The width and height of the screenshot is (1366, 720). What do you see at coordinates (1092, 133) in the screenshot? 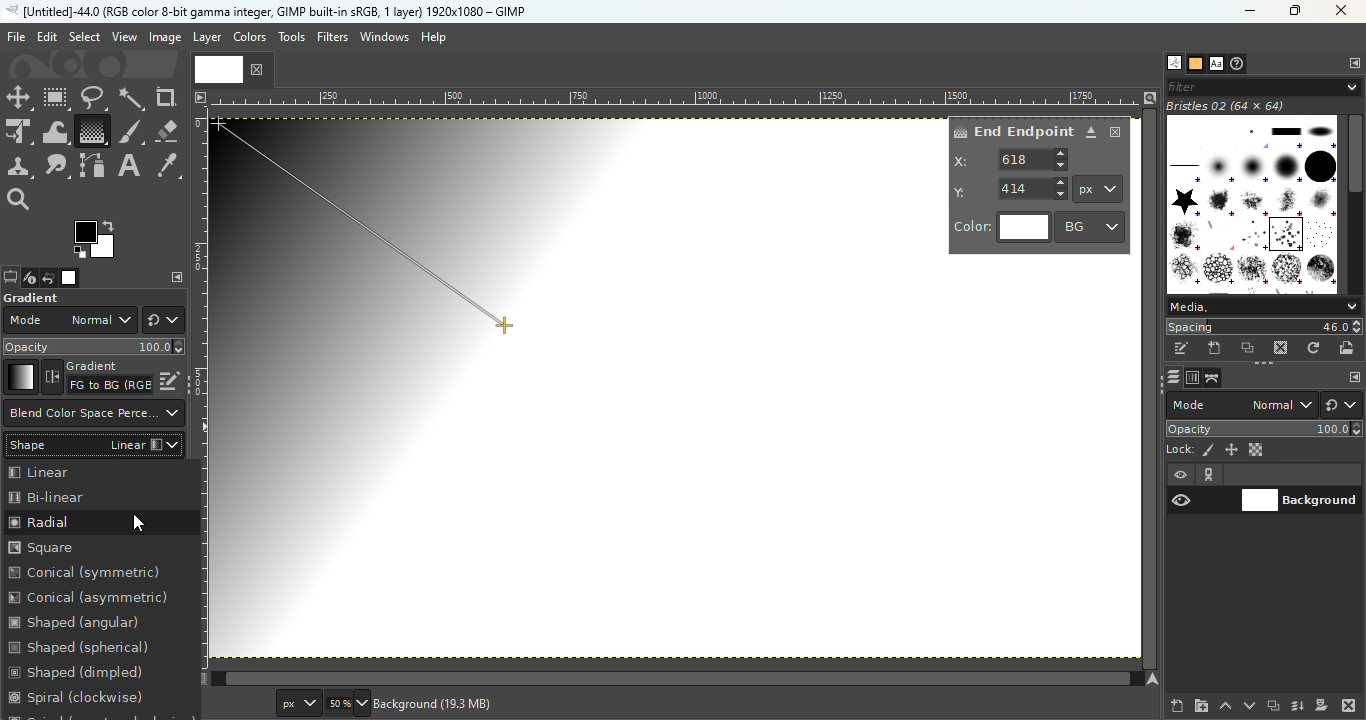
I see `Detach dilog from` at bounding box center [1092, 133].